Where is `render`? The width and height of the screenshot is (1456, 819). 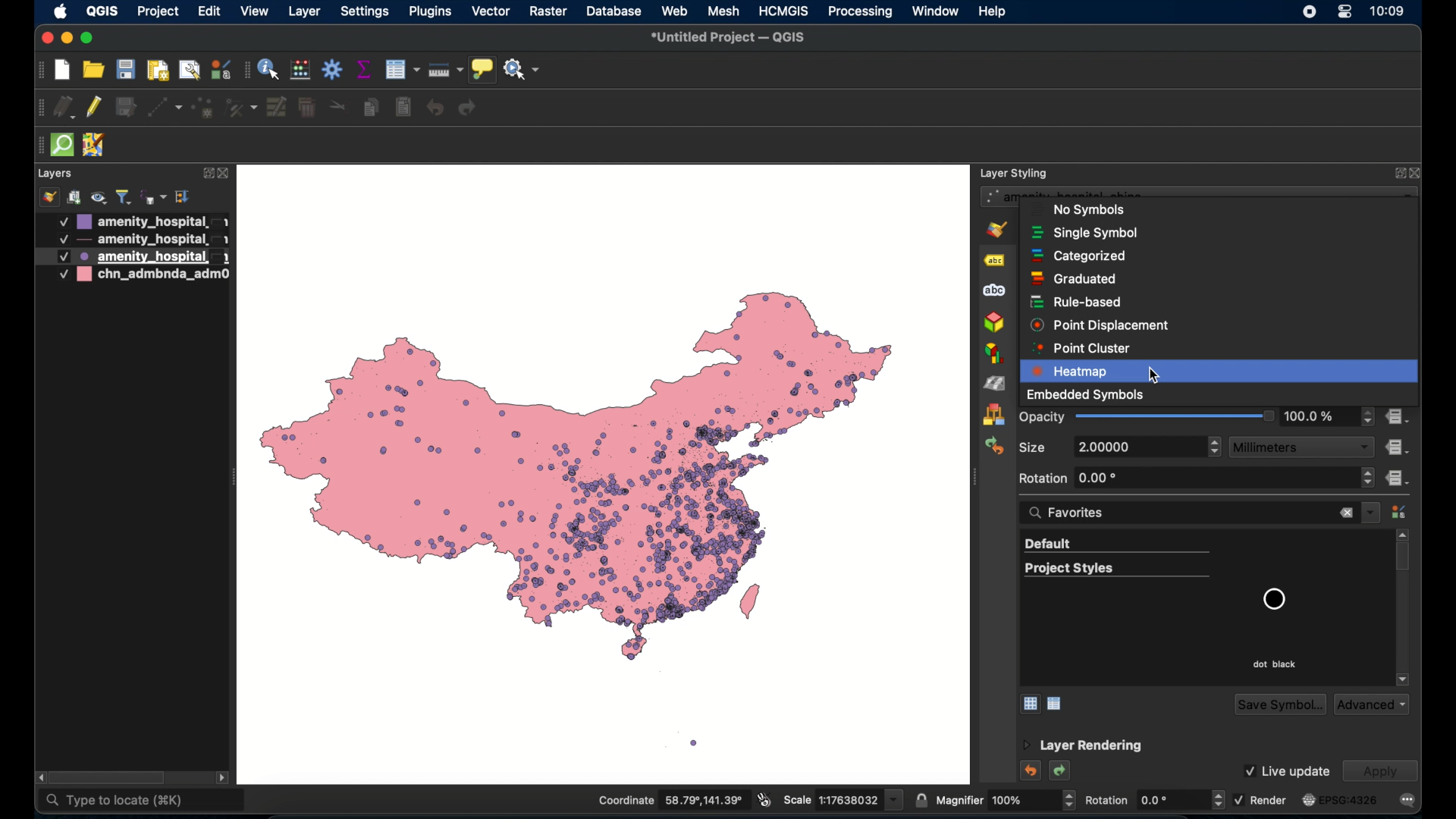
render is located at coordinates (1260, 799).